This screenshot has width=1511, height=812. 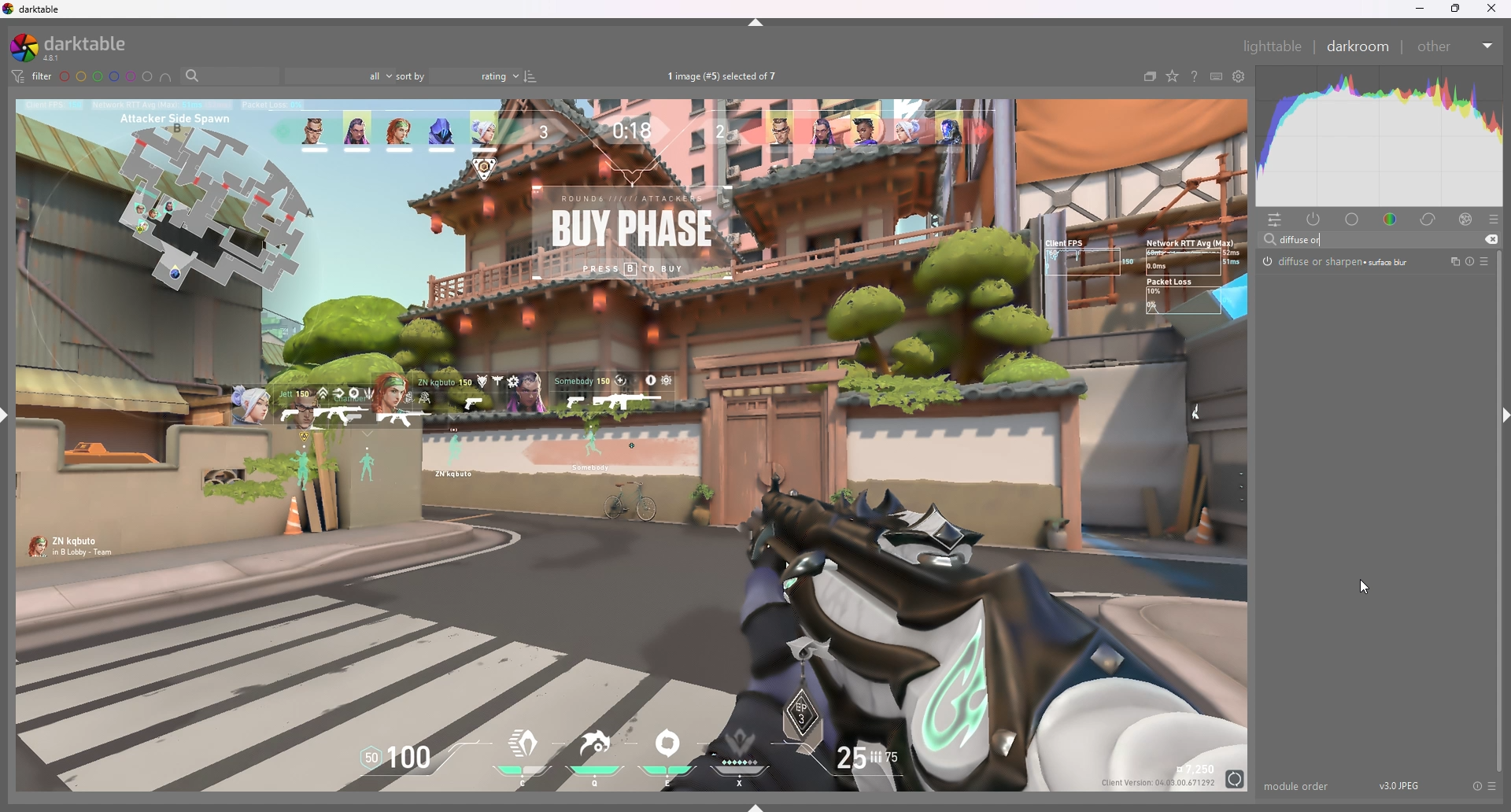 What do you see at coordinates (1469, 262) in the screenshot?
I see `reset` at bounding box center [1469, 262].